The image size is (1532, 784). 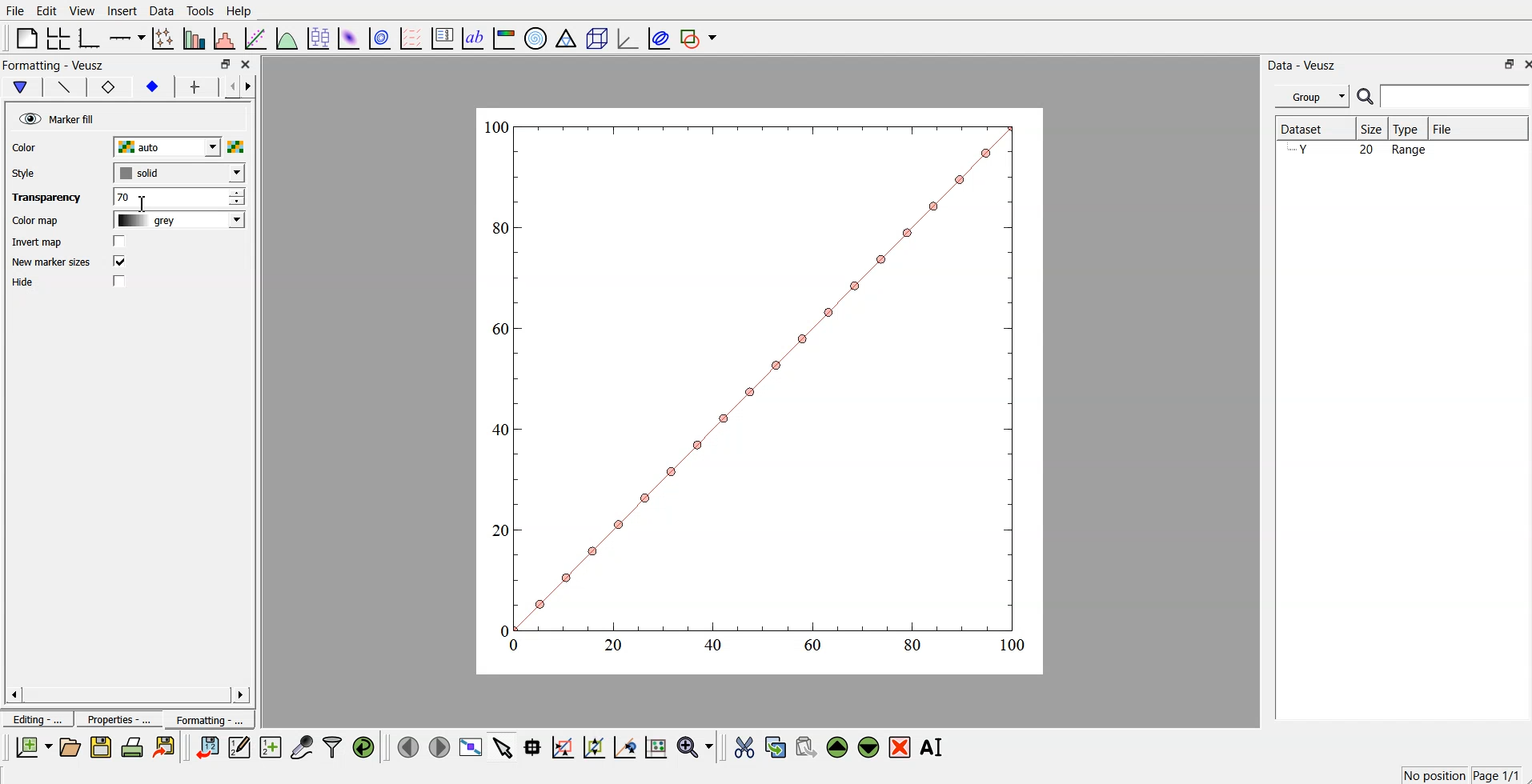 I want to click on Open, so click(x=70, y=746).